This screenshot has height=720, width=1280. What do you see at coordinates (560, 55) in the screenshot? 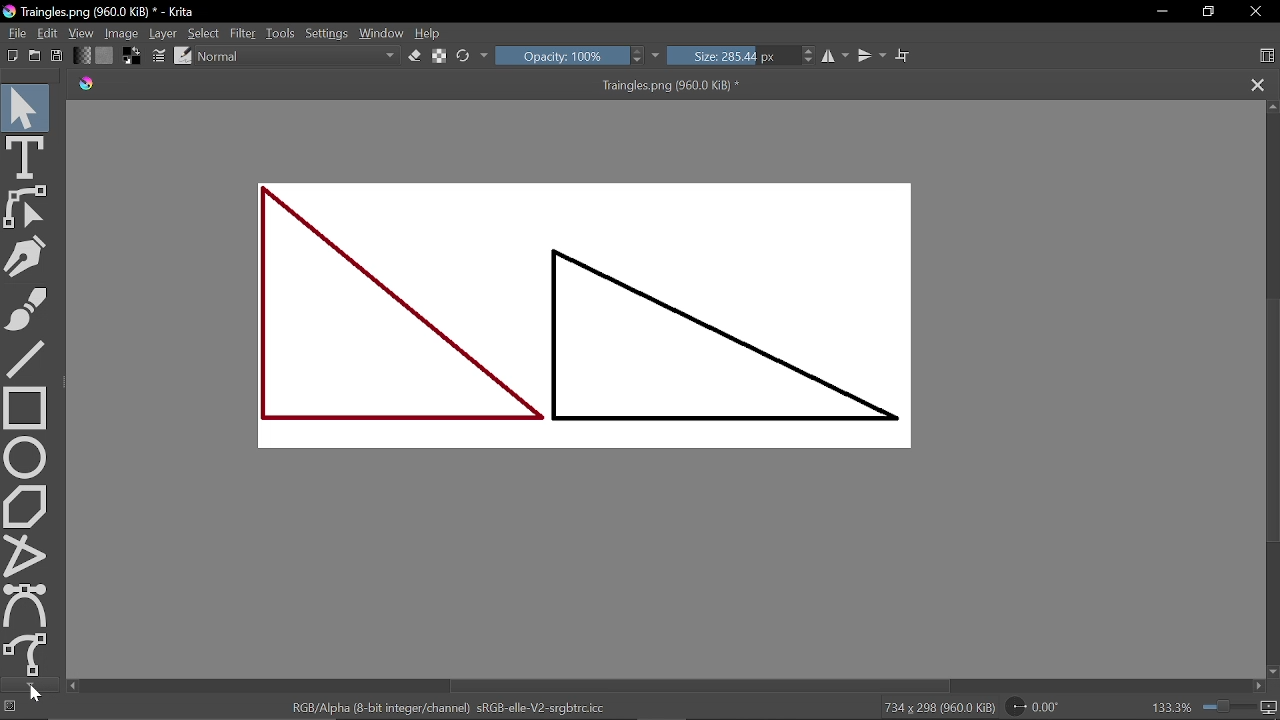
I see `Opacity` at bounding box center [560, 55].